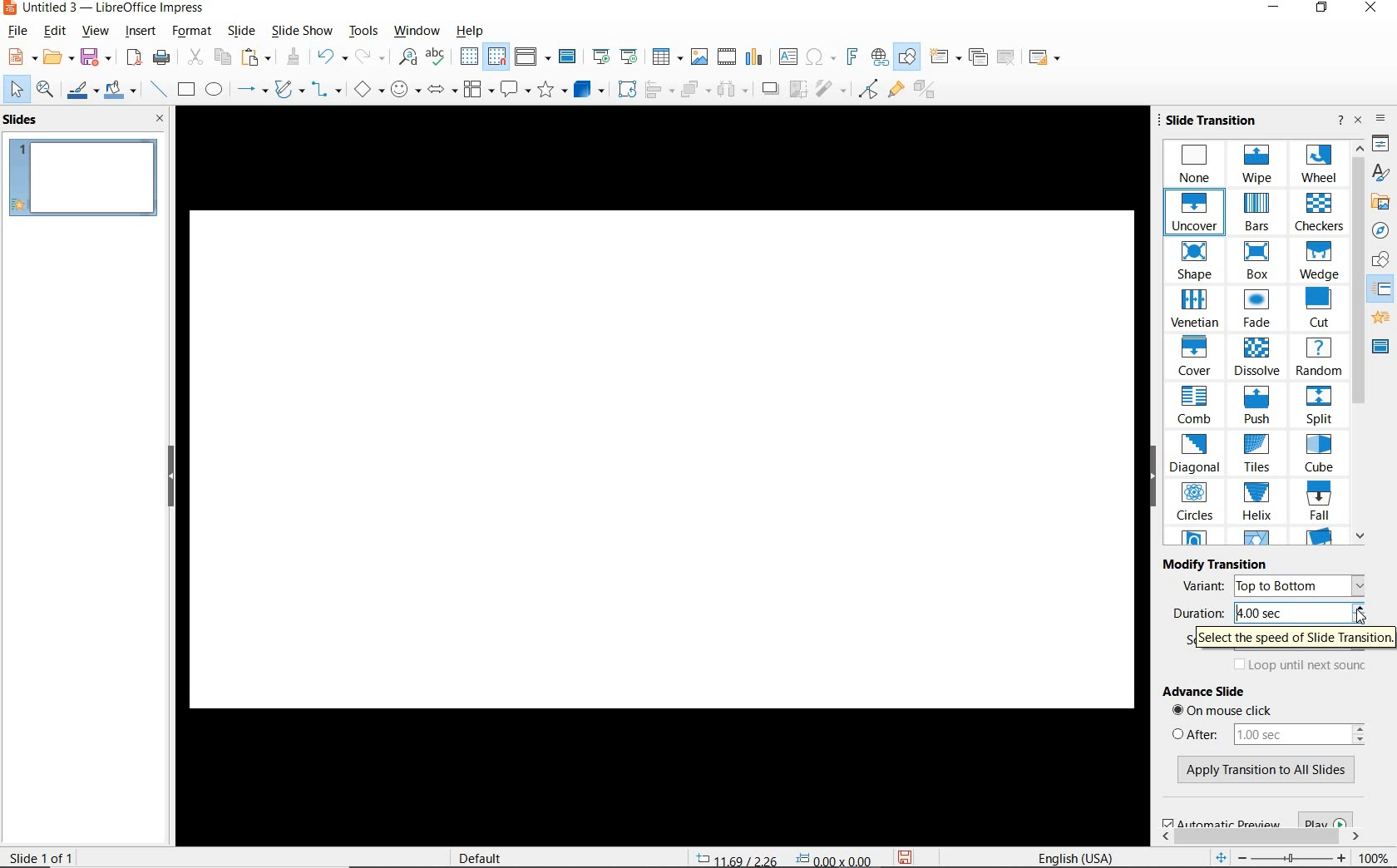  I want to click on ARRANGE, so click(694, 89).